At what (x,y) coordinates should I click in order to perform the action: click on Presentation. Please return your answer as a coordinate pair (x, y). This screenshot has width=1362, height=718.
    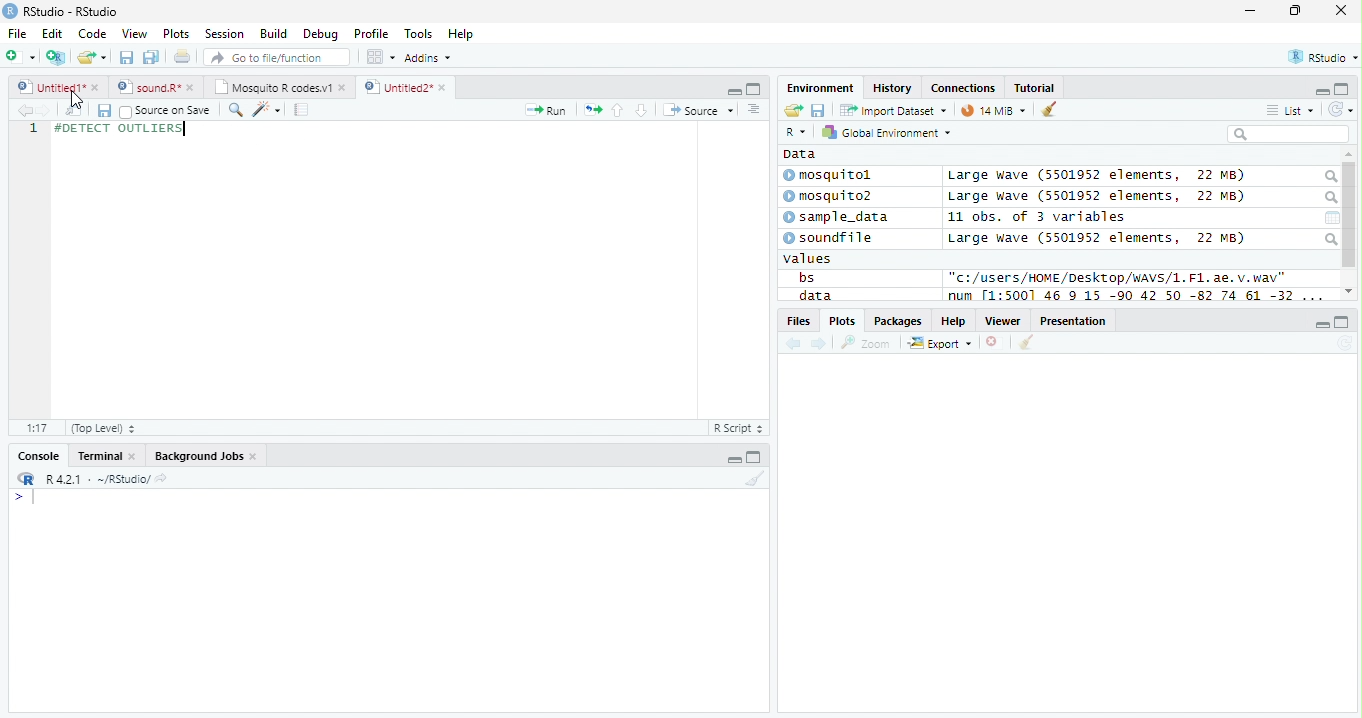
    Looking at the image, I should click on (1073, 320).